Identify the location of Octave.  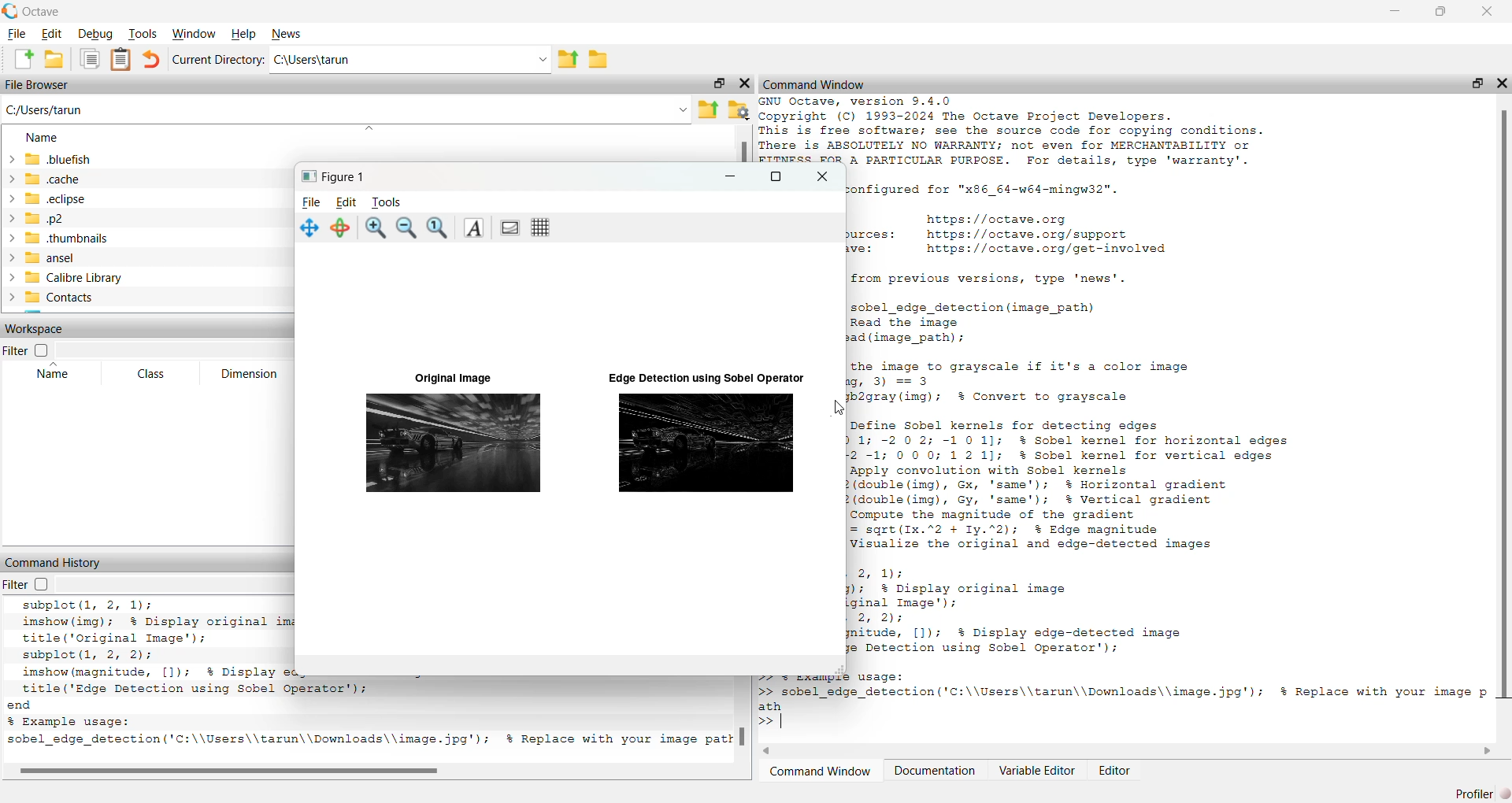
(49, 11).